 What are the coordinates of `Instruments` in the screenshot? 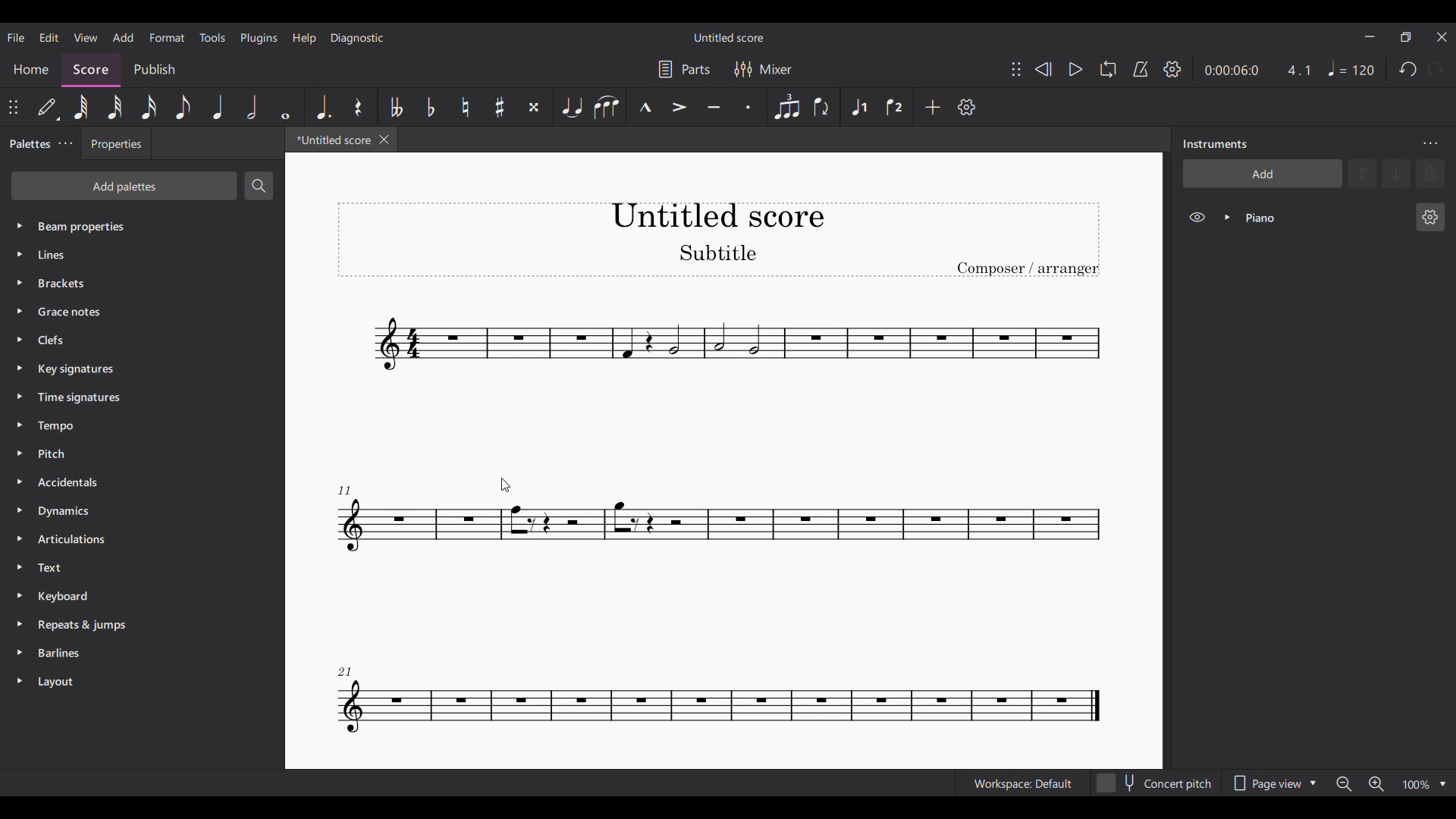 It's located at (1215, 144).